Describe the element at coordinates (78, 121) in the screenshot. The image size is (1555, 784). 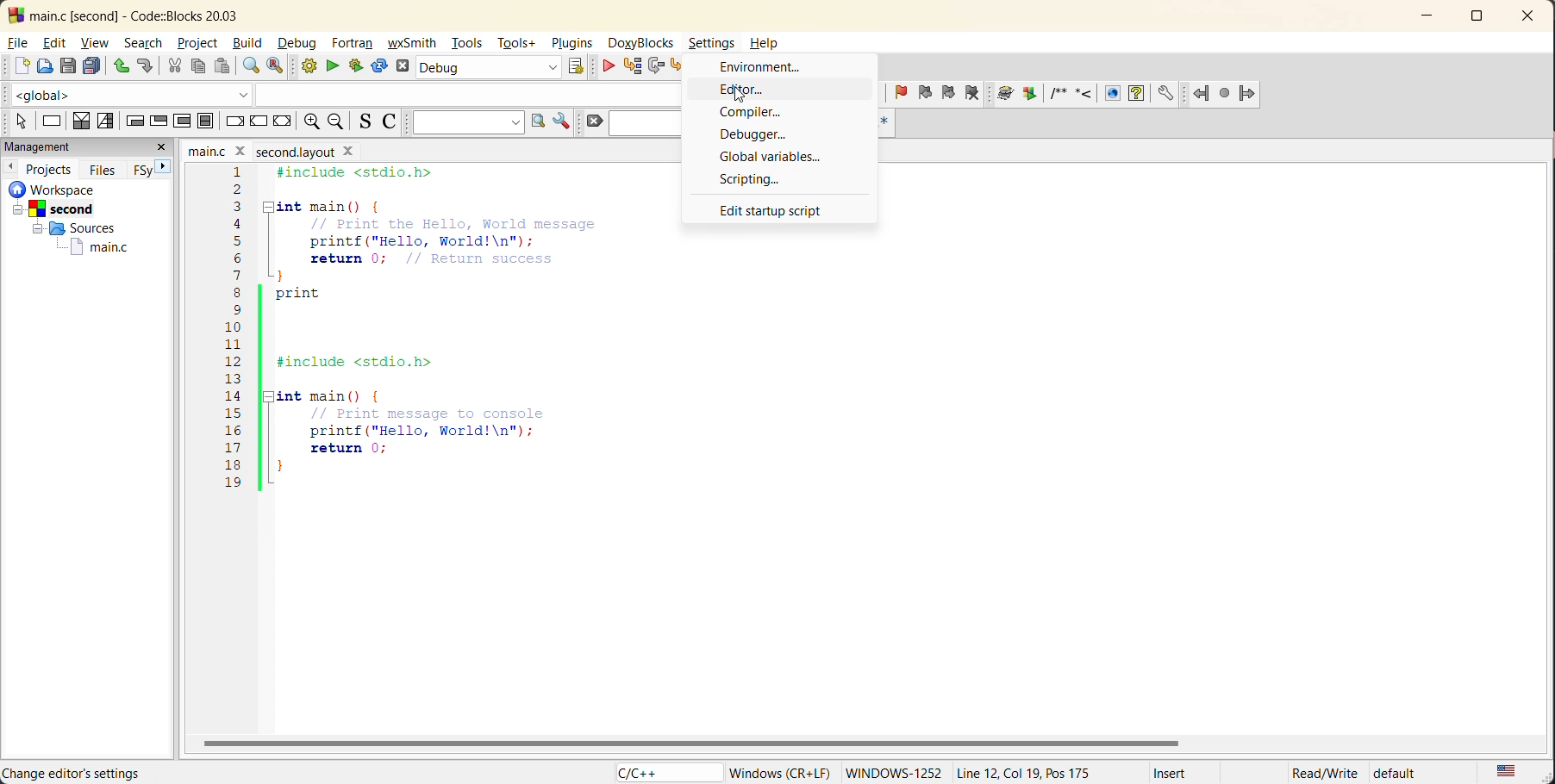
I see `decision` at that location.